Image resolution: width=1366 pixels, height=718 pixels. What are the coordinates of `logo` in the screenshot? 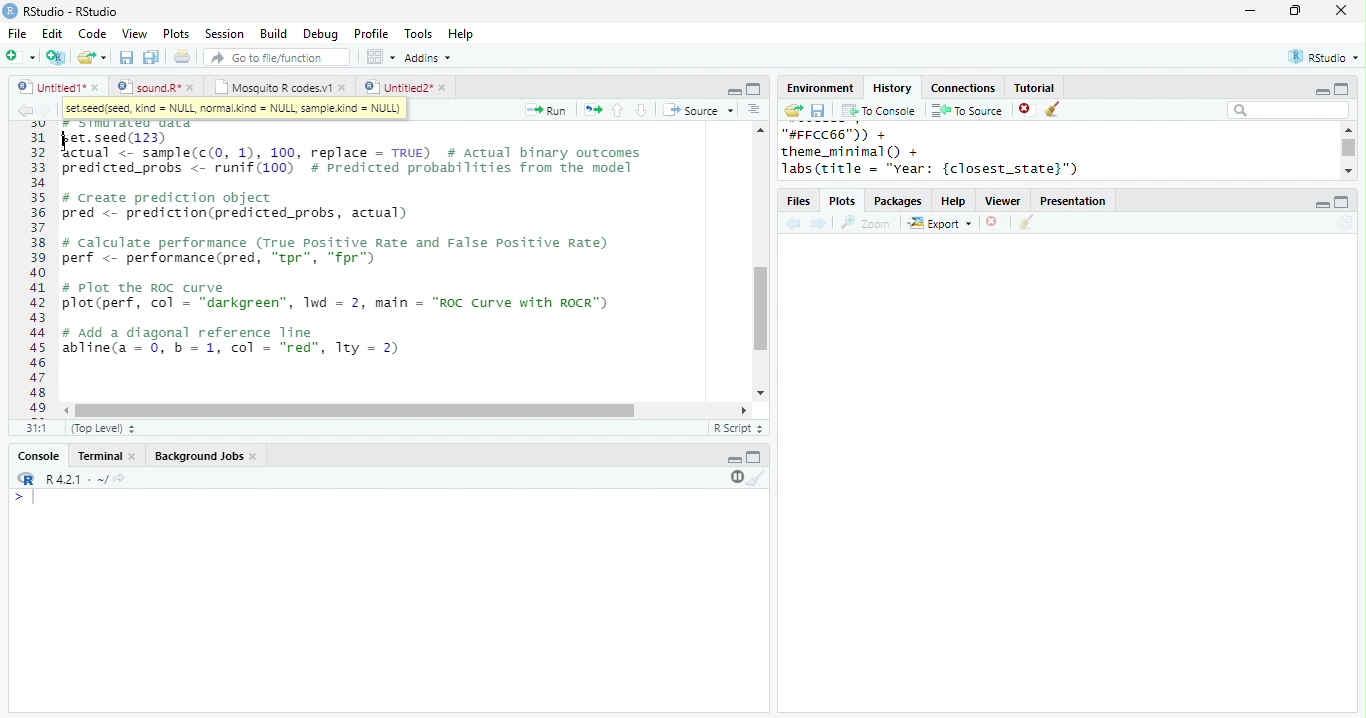 It's located at (10, 10).